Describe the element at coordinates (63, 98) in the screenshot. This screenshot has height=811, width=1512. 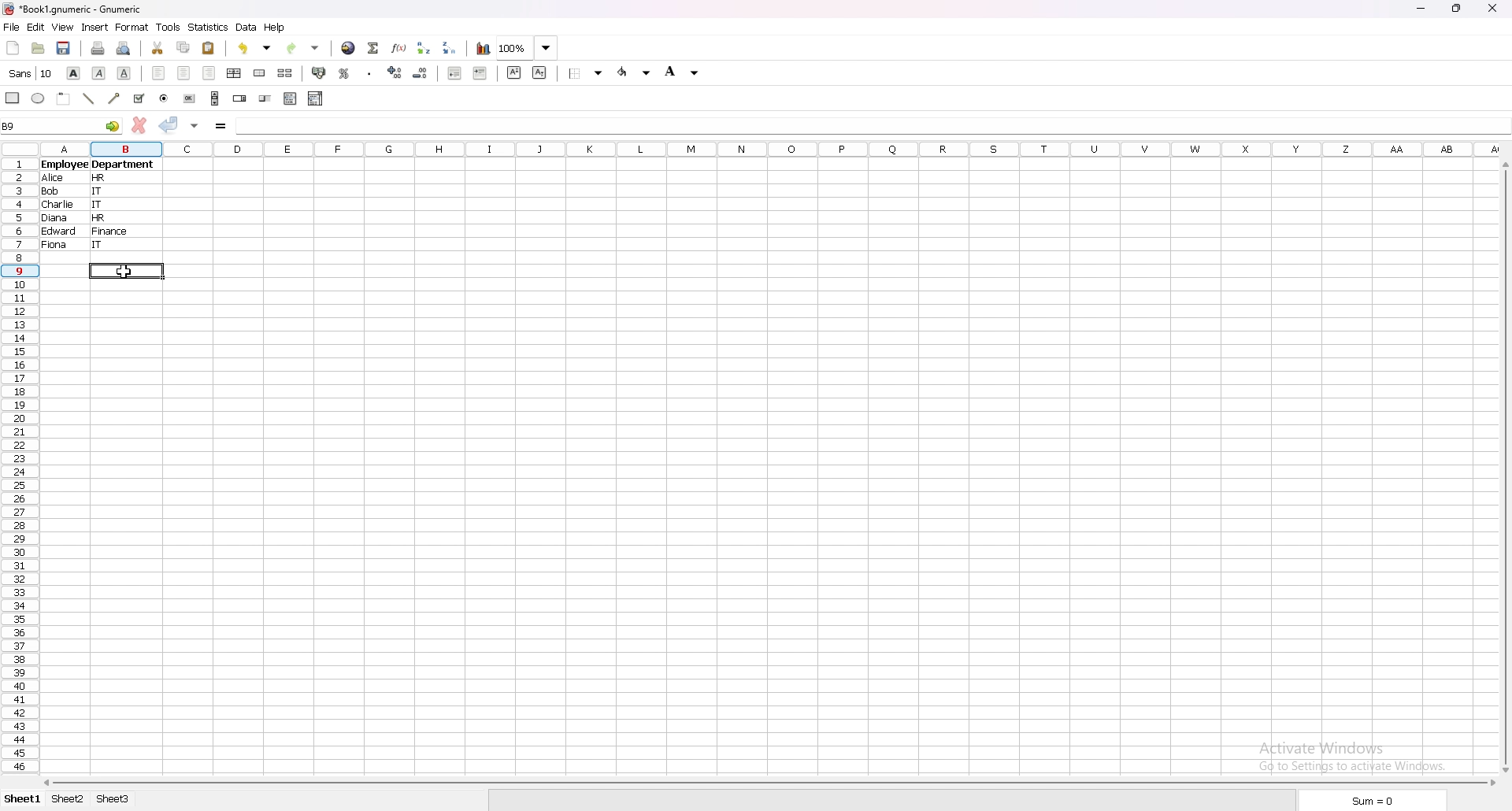
I see `frame` at that location.